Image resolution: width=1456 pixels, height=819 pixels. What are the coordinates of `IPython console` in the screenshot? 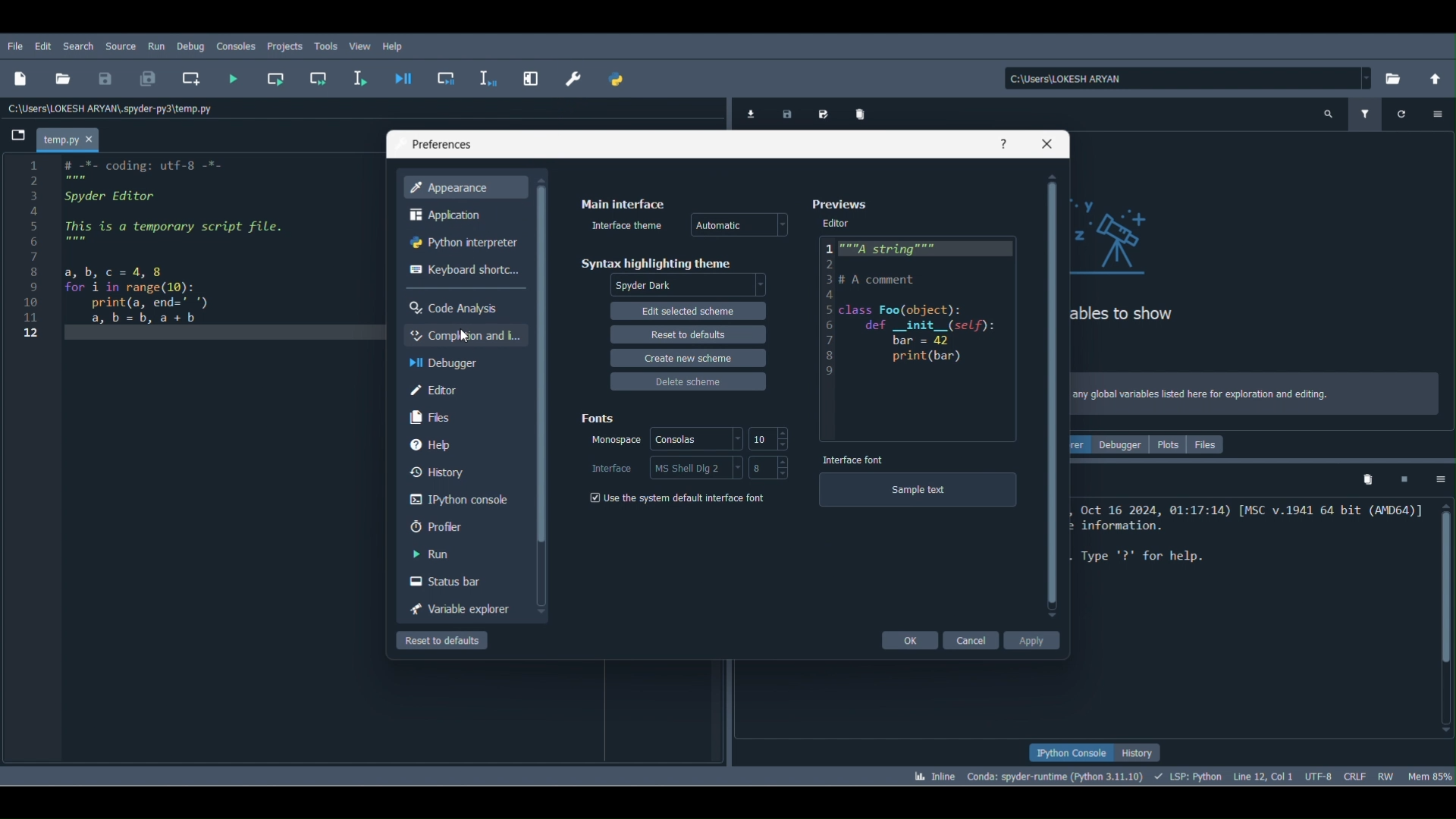 It's located at (1063, 752).